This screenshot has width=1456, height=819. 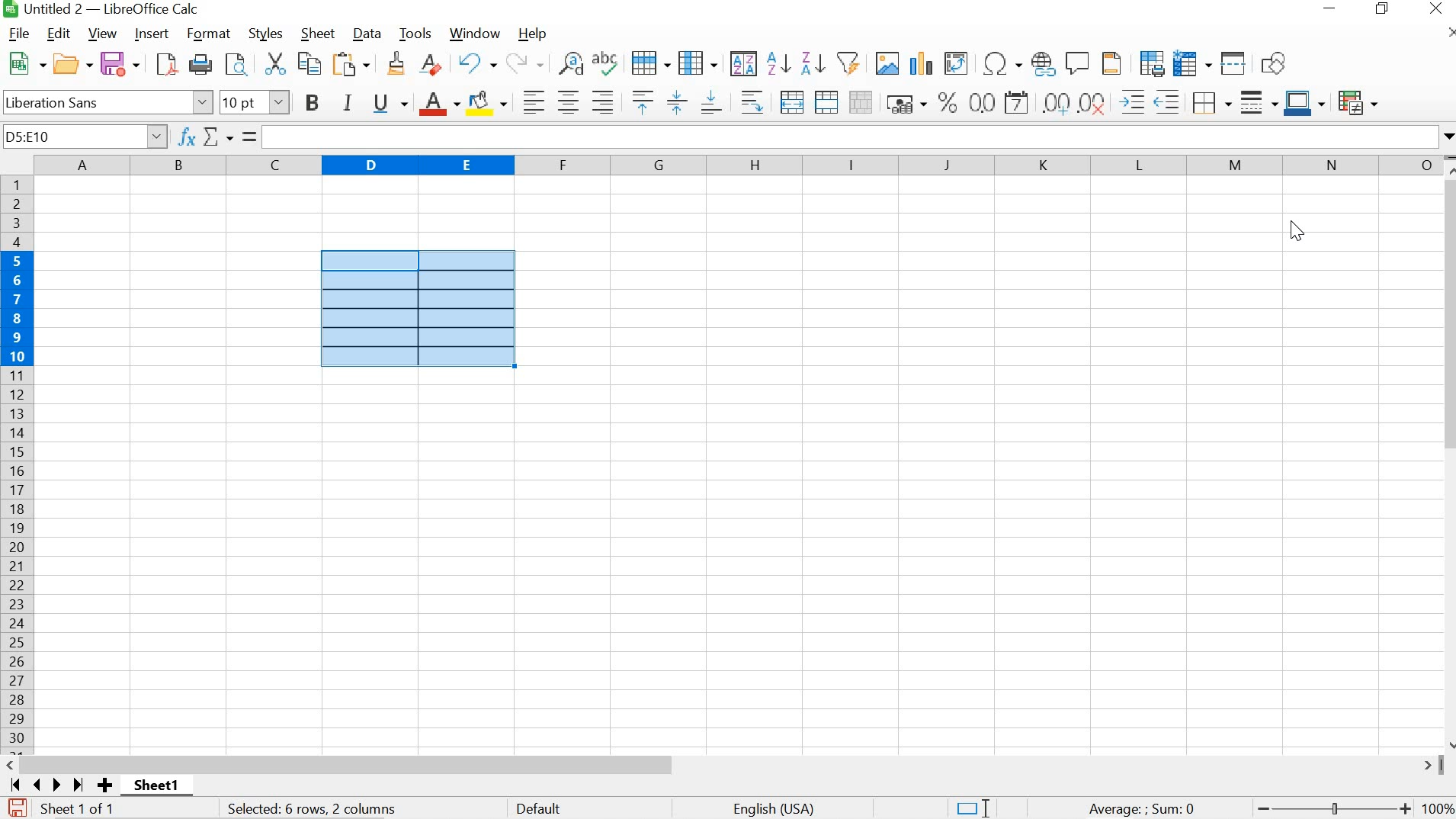 What do you see at coordinates (390, 104) in the screenshot?
I see `UNDERLINE` at bounding box center [390, 104].